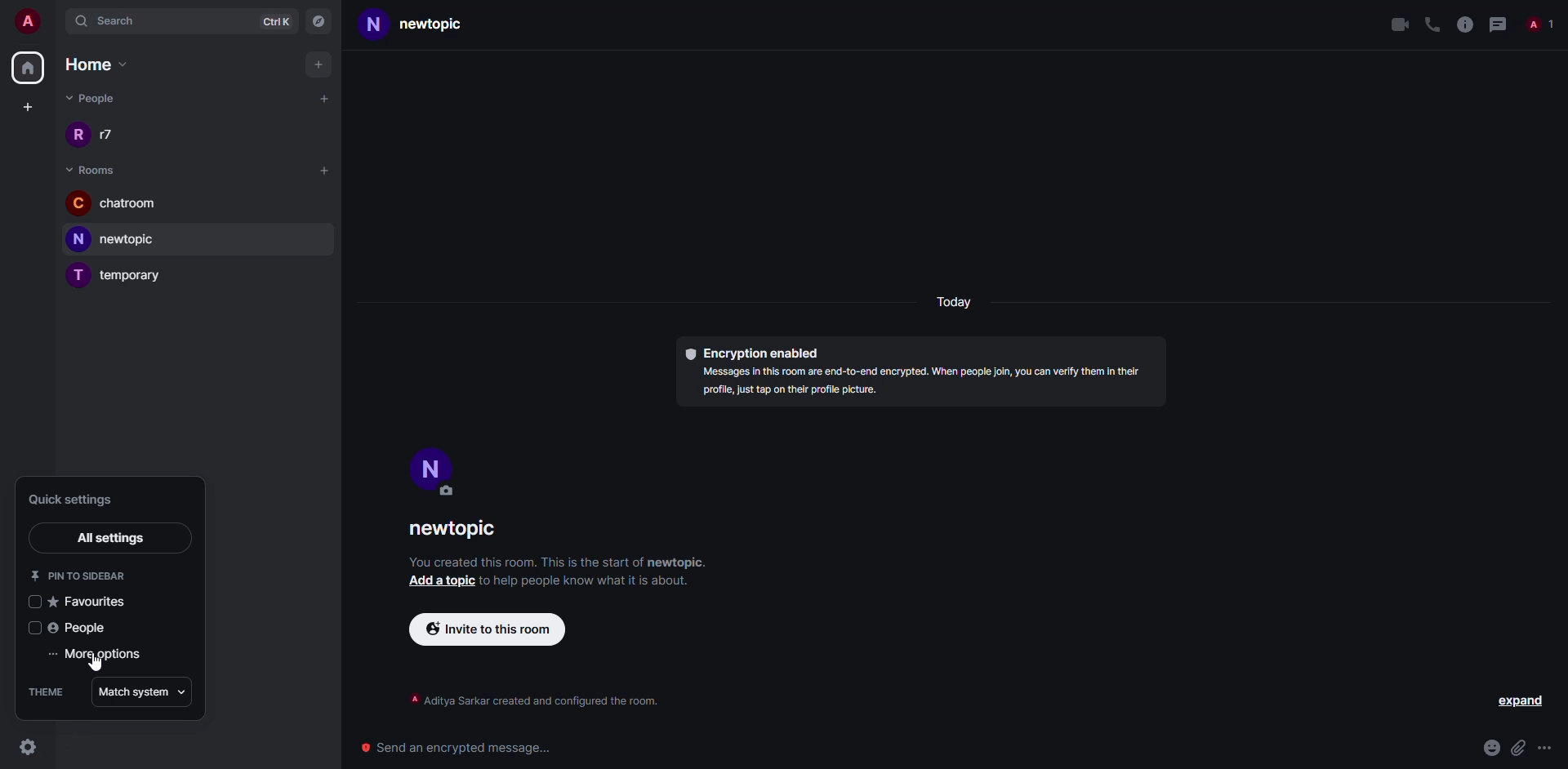  What do you see at coordinates (1399, 25) in the screenshot?
I see `video call` at bounding box center [1399, 25].